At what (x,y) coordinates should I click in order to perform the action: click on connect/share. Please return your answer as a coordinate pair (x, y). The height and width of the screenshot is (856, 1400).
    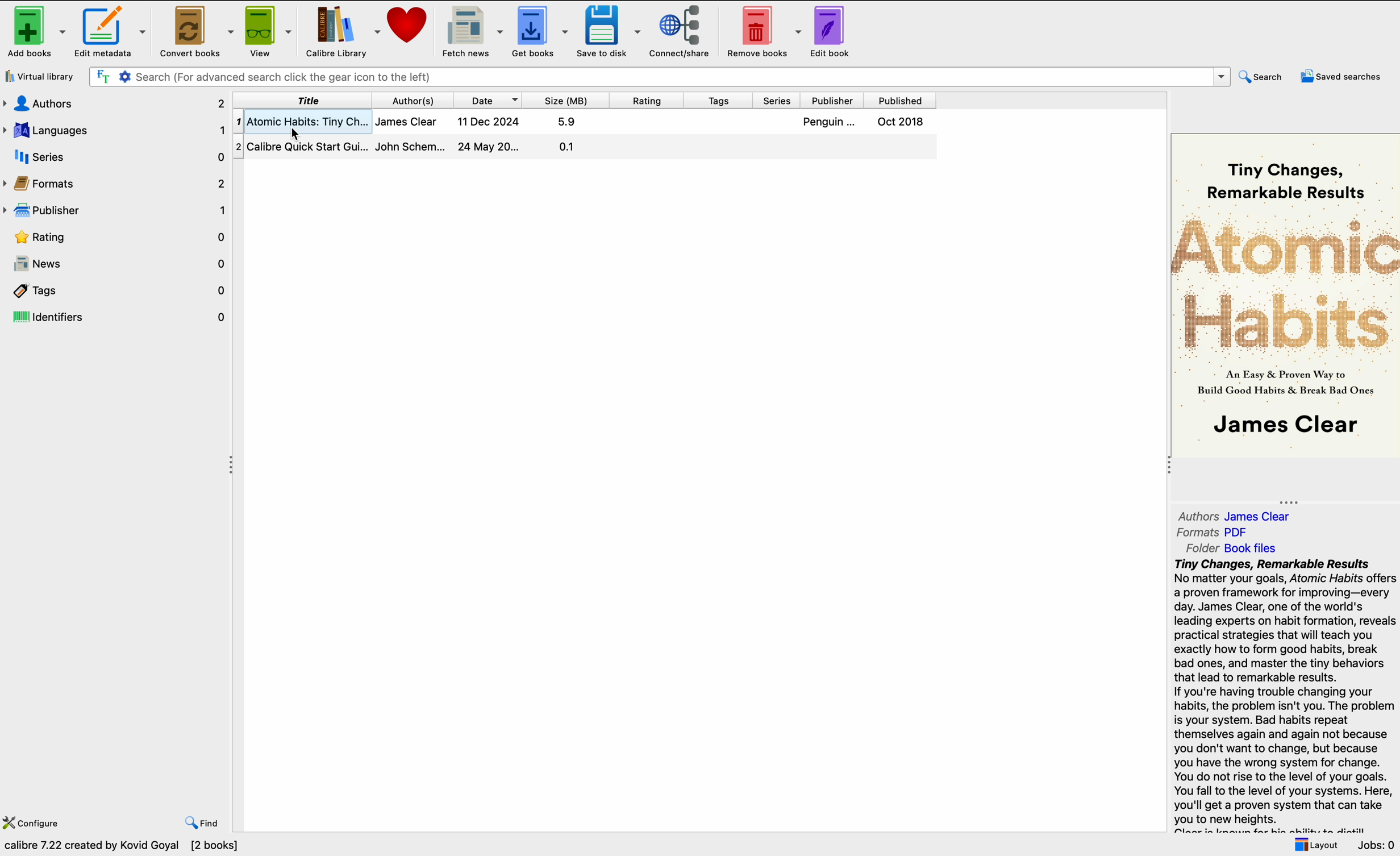
    Looking at the image, I should click on (680, 32).